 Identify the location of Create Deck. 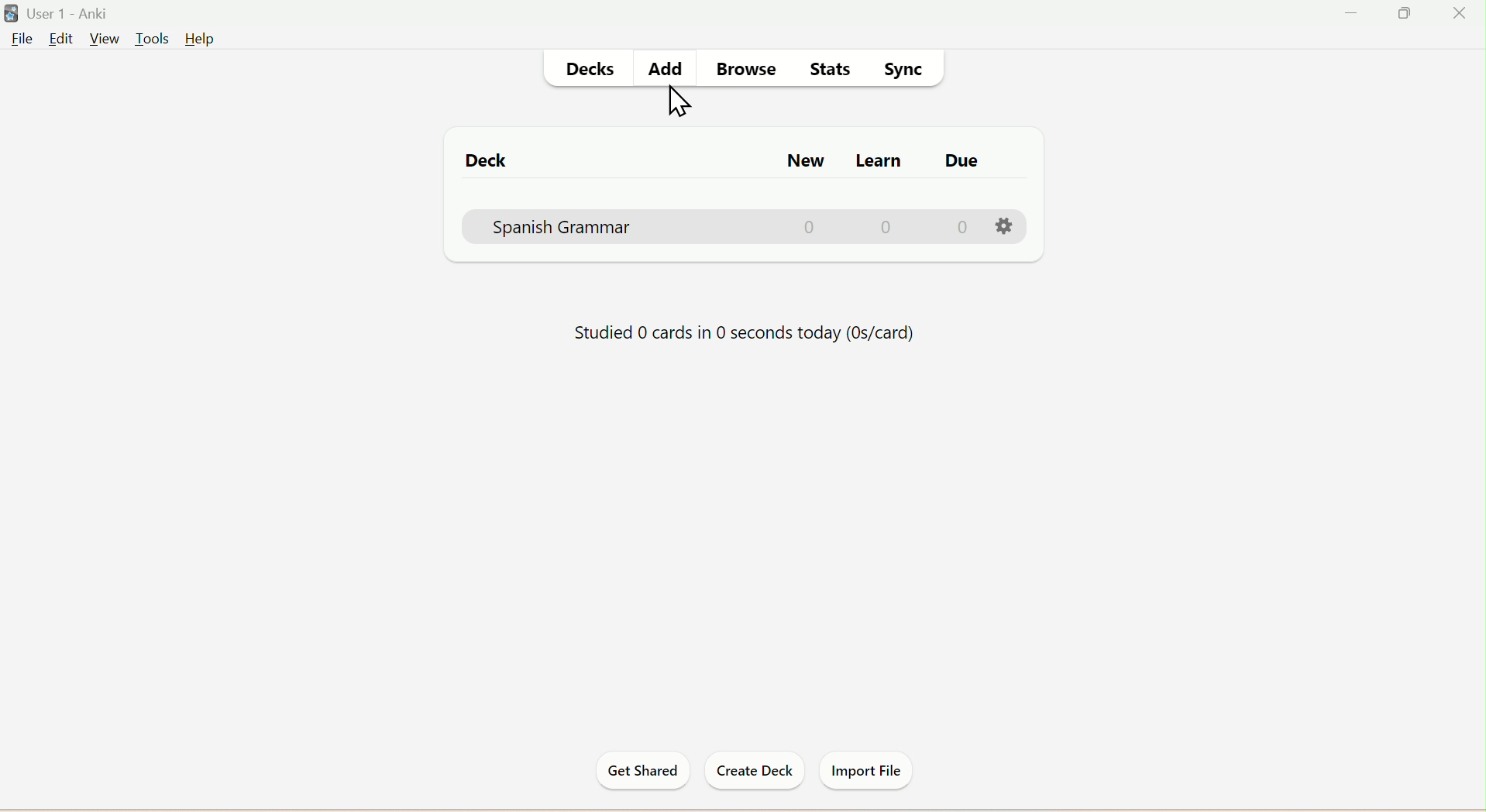
(750, 771).